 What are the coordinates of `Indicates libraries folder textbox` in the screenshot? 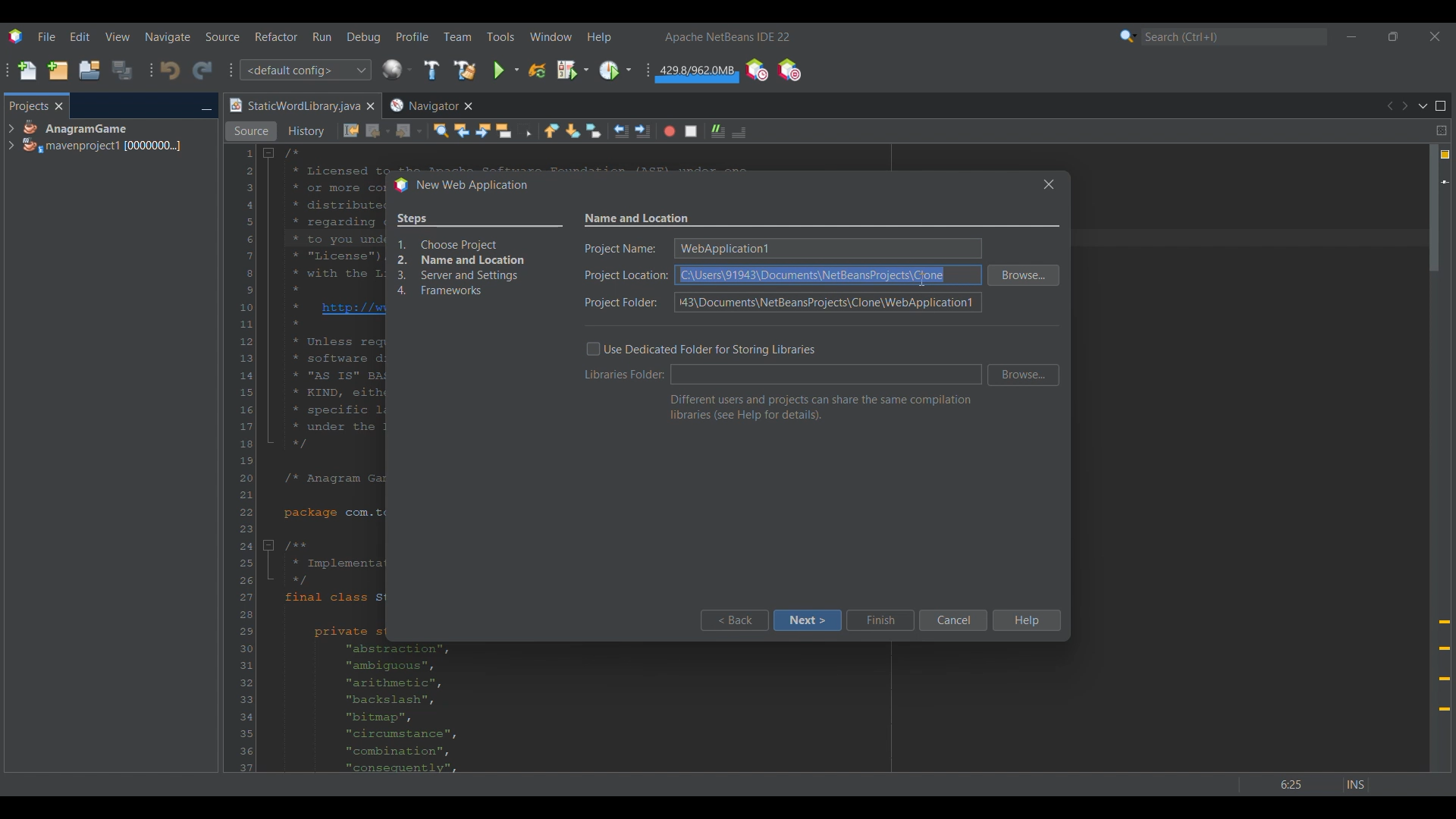 It's located at (625, 374).